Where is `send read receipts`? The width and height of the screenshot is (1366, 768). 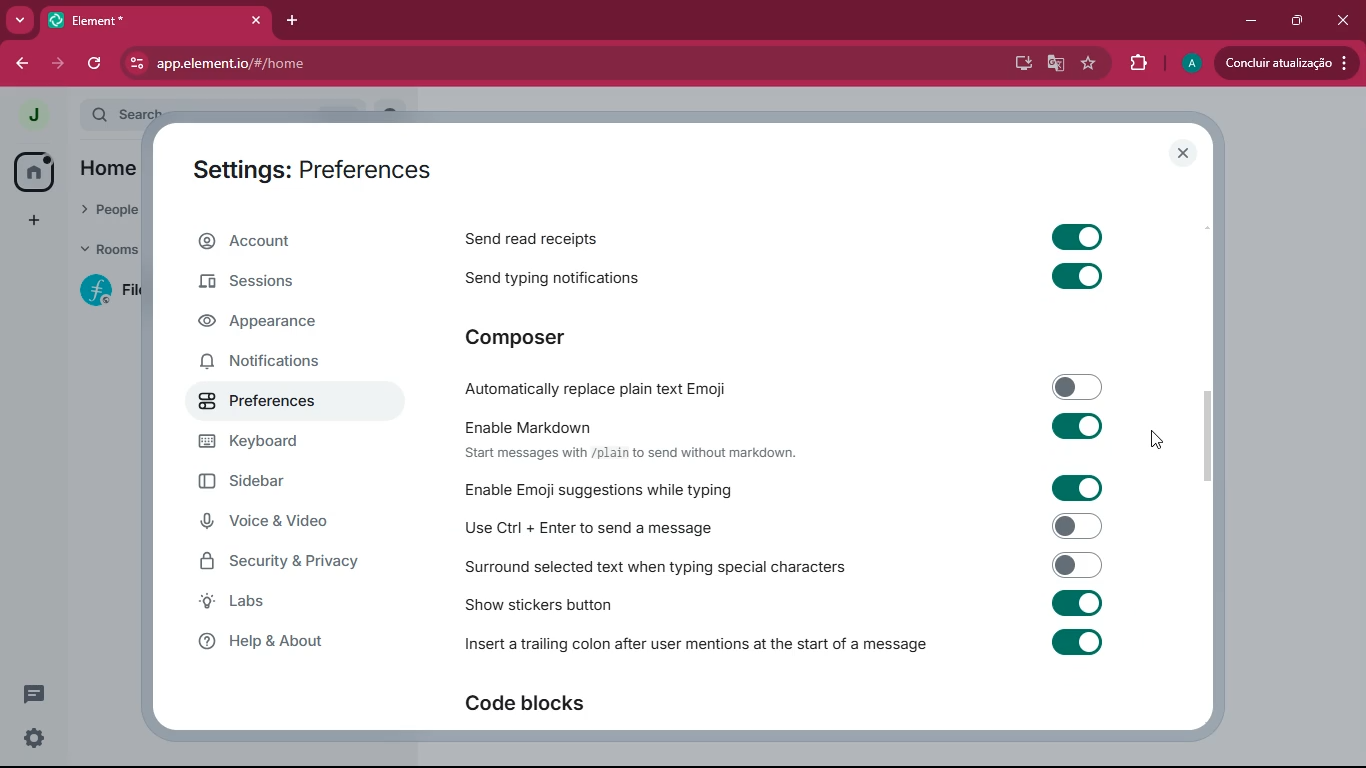
send read receipts is located at coordinates (575, 240).